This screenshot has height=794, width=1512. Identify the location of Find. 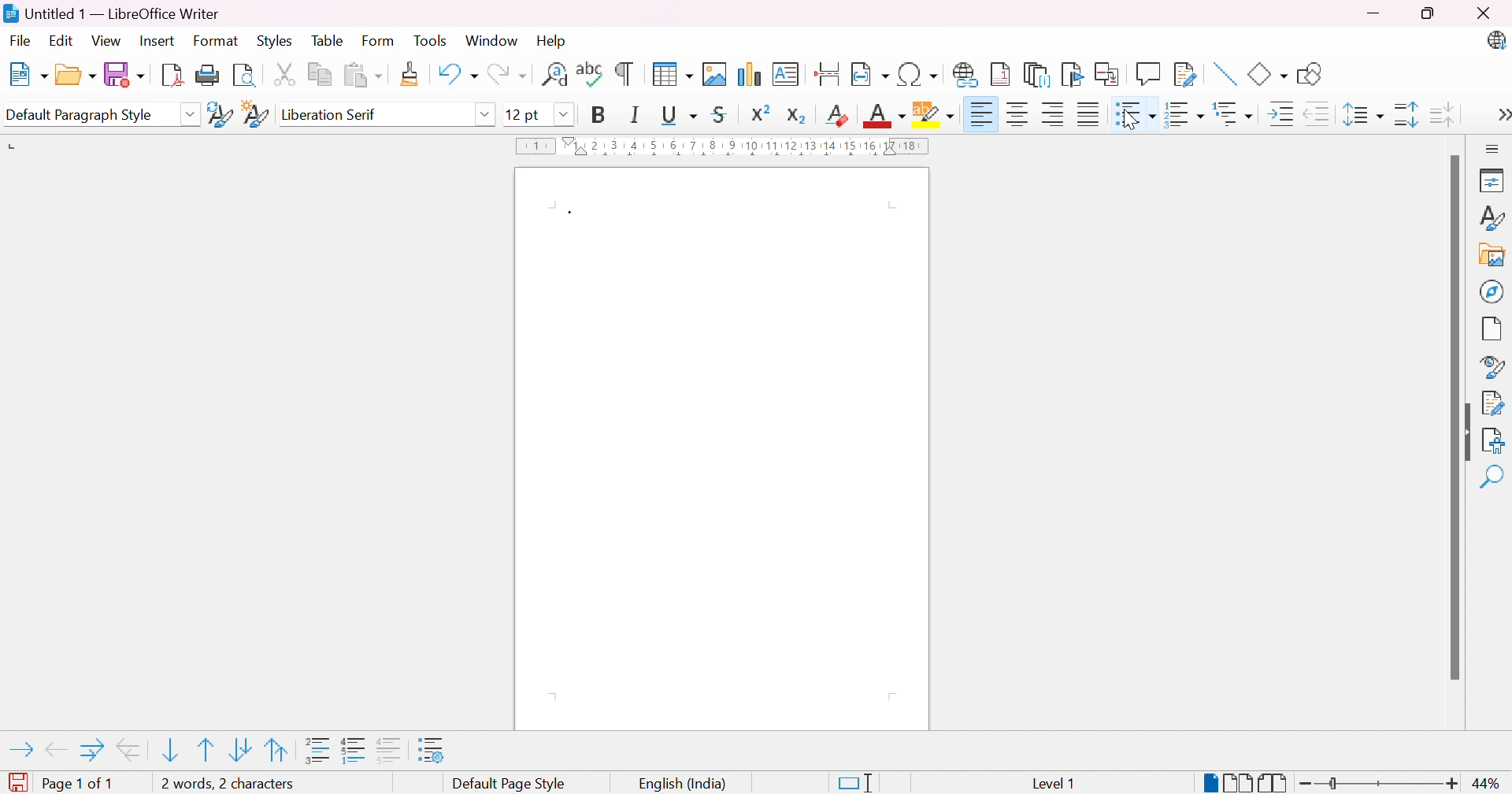
(1492, 477).